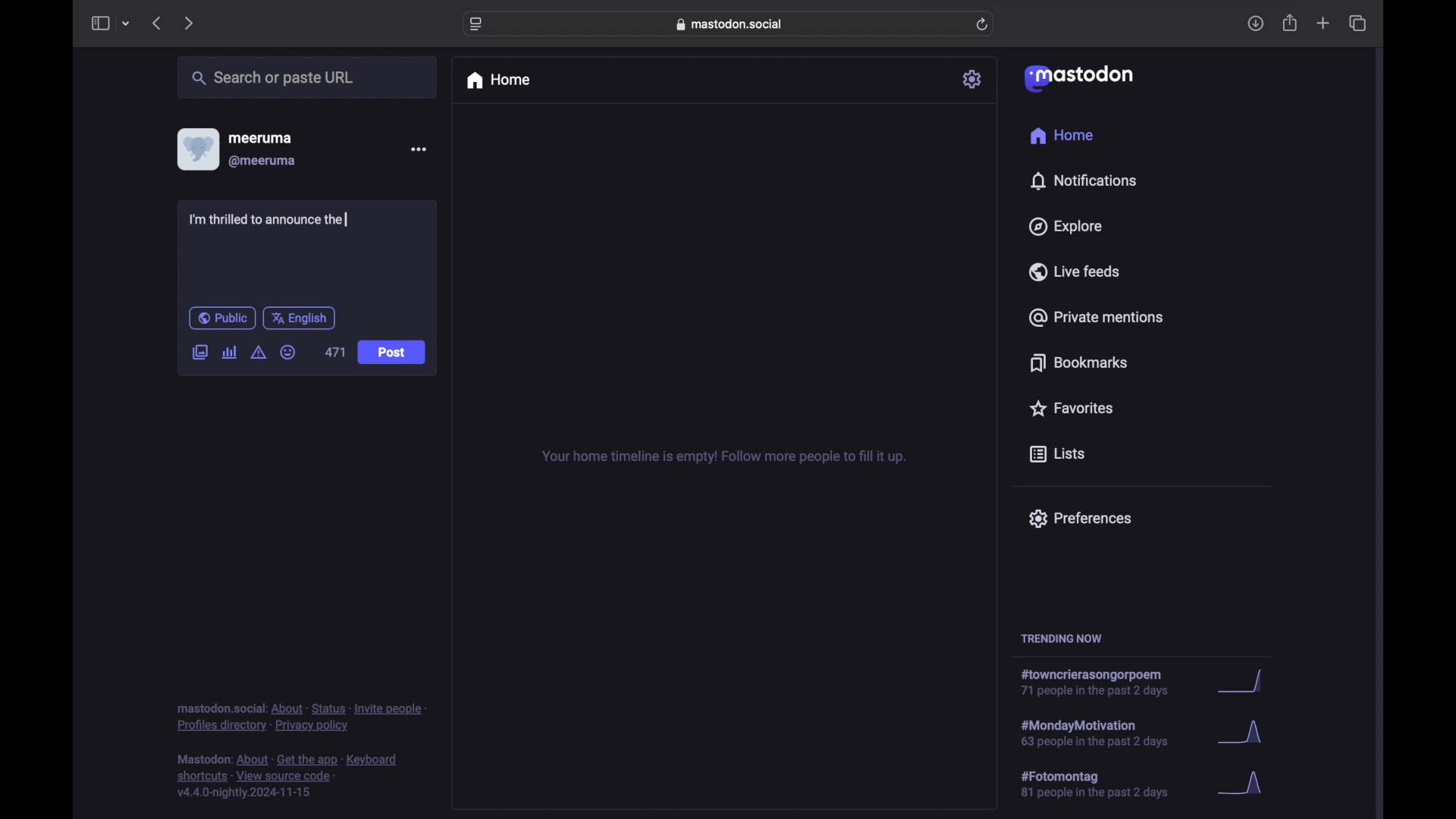  I want to click on refresh, so click(982, 24).